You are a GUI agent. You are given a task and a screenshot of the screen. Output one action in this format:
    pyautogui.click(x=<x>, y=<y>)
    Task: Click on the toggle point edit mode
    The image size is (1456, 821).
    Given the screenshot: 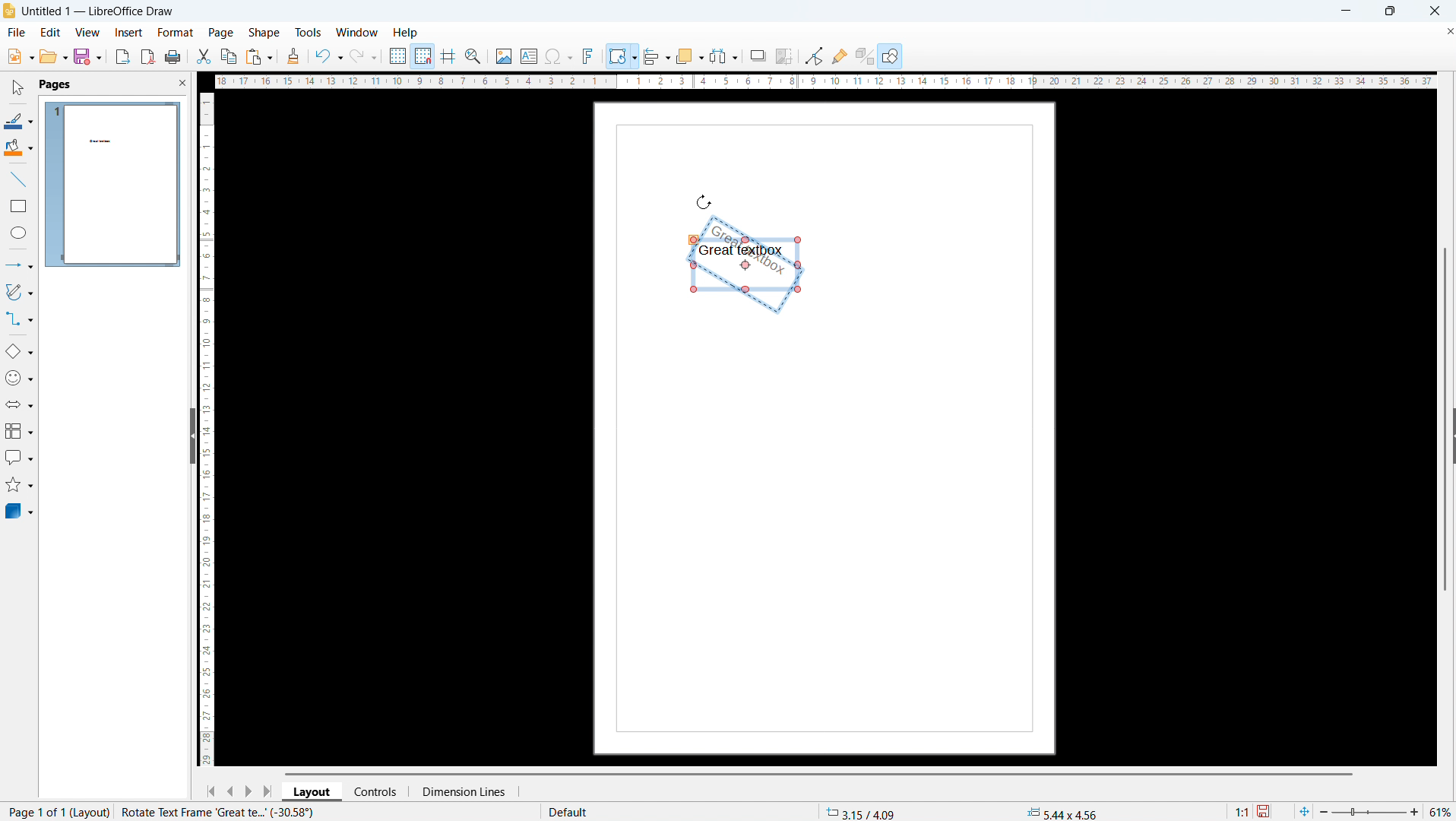 What is the action you would take?
    pyautogui.click(x=815, y=55)
    